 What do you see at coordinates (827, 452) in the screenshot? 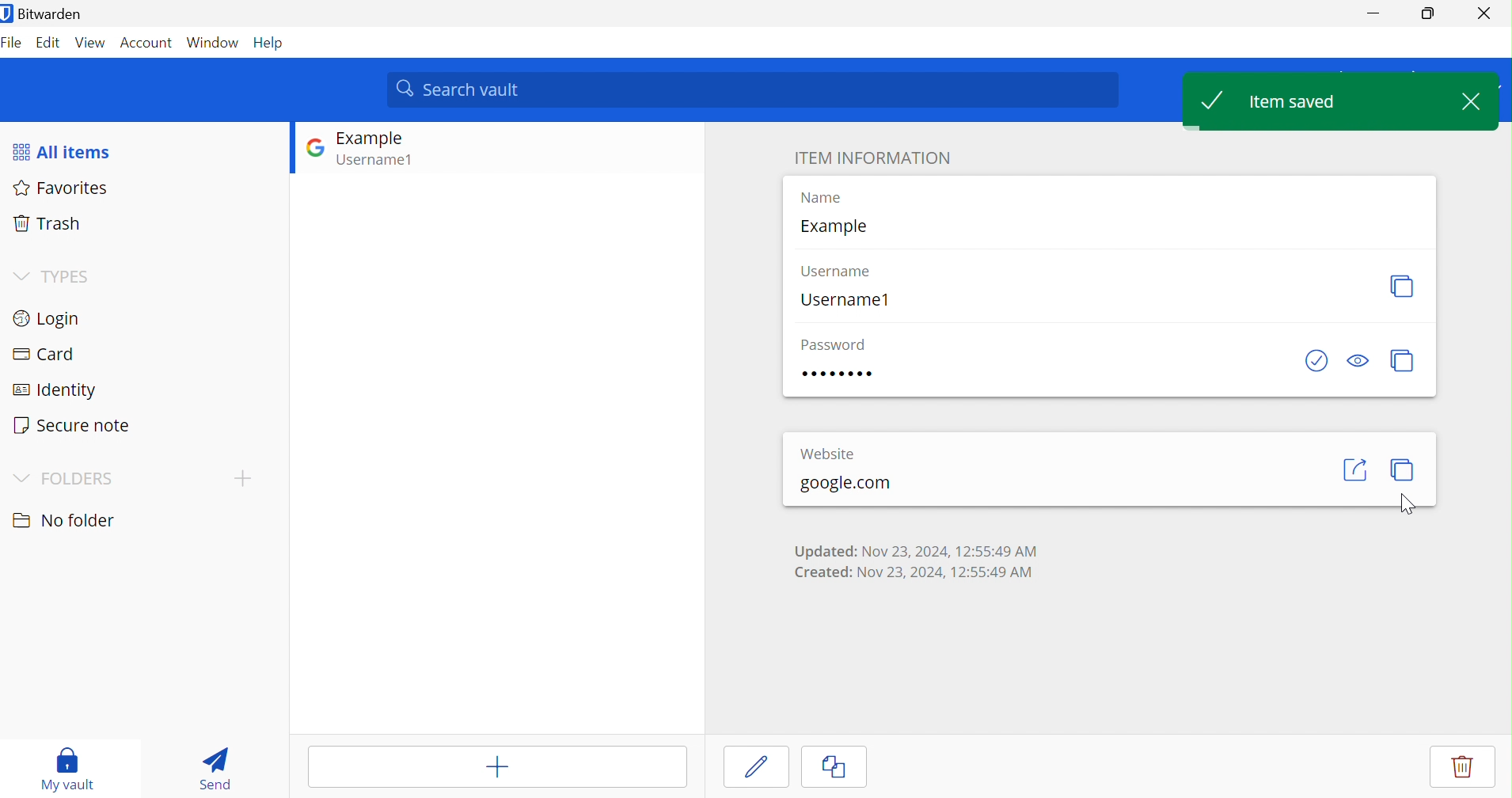
I see `Website` at bounding box center [827, 452].